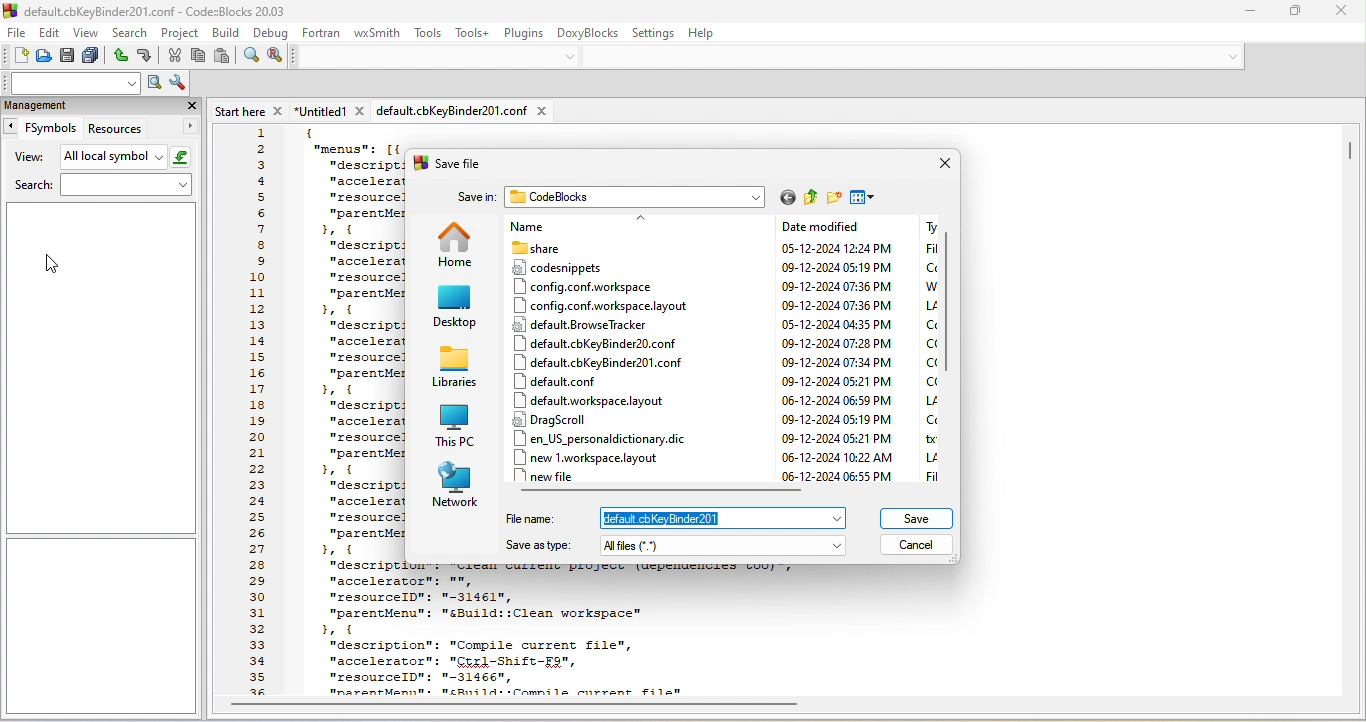 This screenshot has width=1366, height=722. What do you see at coordinates (918, 546) in the screenshot?
I see `cancel` at bounding box center [918, 546].